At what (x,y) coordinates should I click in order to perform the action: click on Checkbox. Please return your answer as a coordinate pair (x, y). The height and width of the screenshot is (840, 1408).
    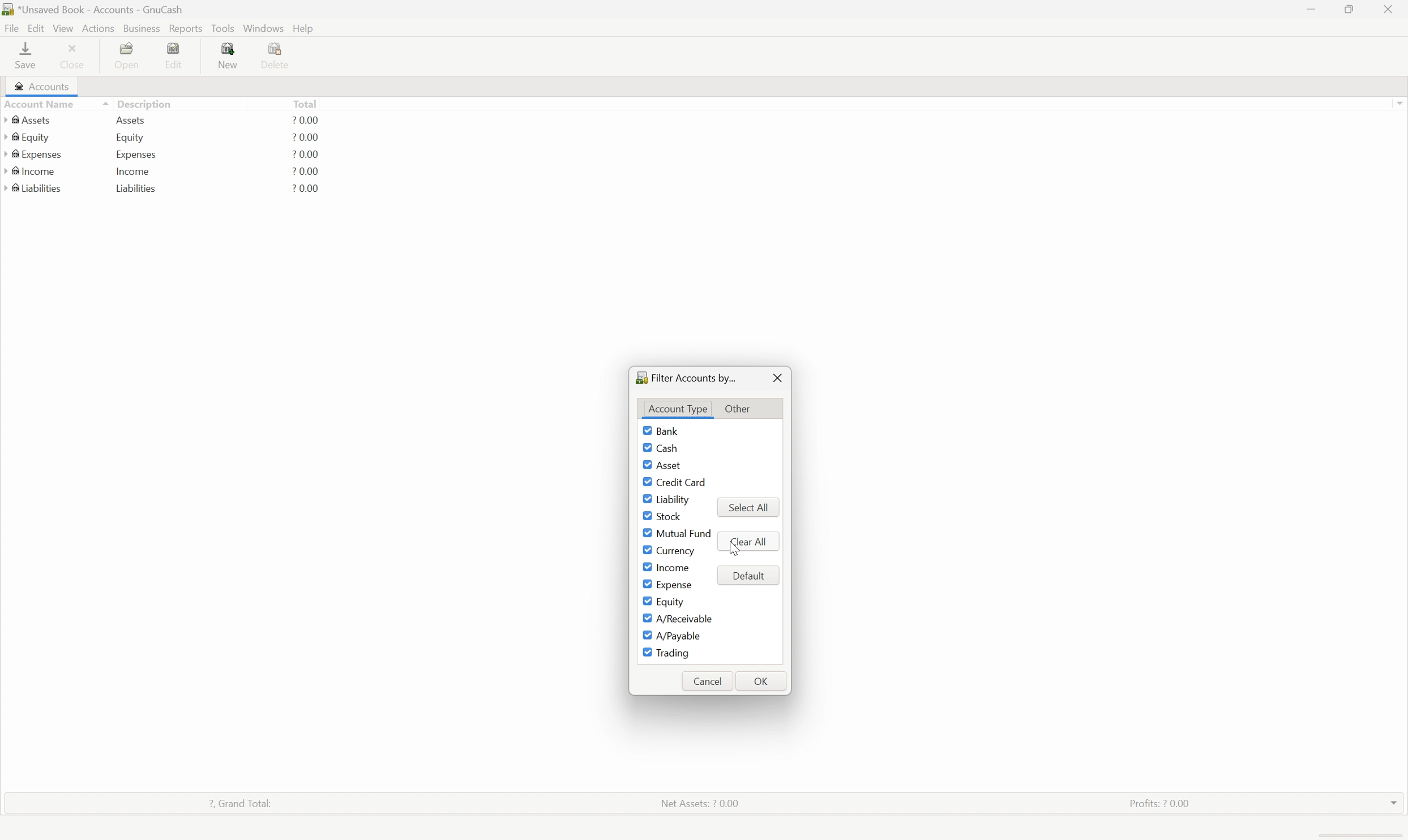
    Looking at the image, I should click on (645, 532).